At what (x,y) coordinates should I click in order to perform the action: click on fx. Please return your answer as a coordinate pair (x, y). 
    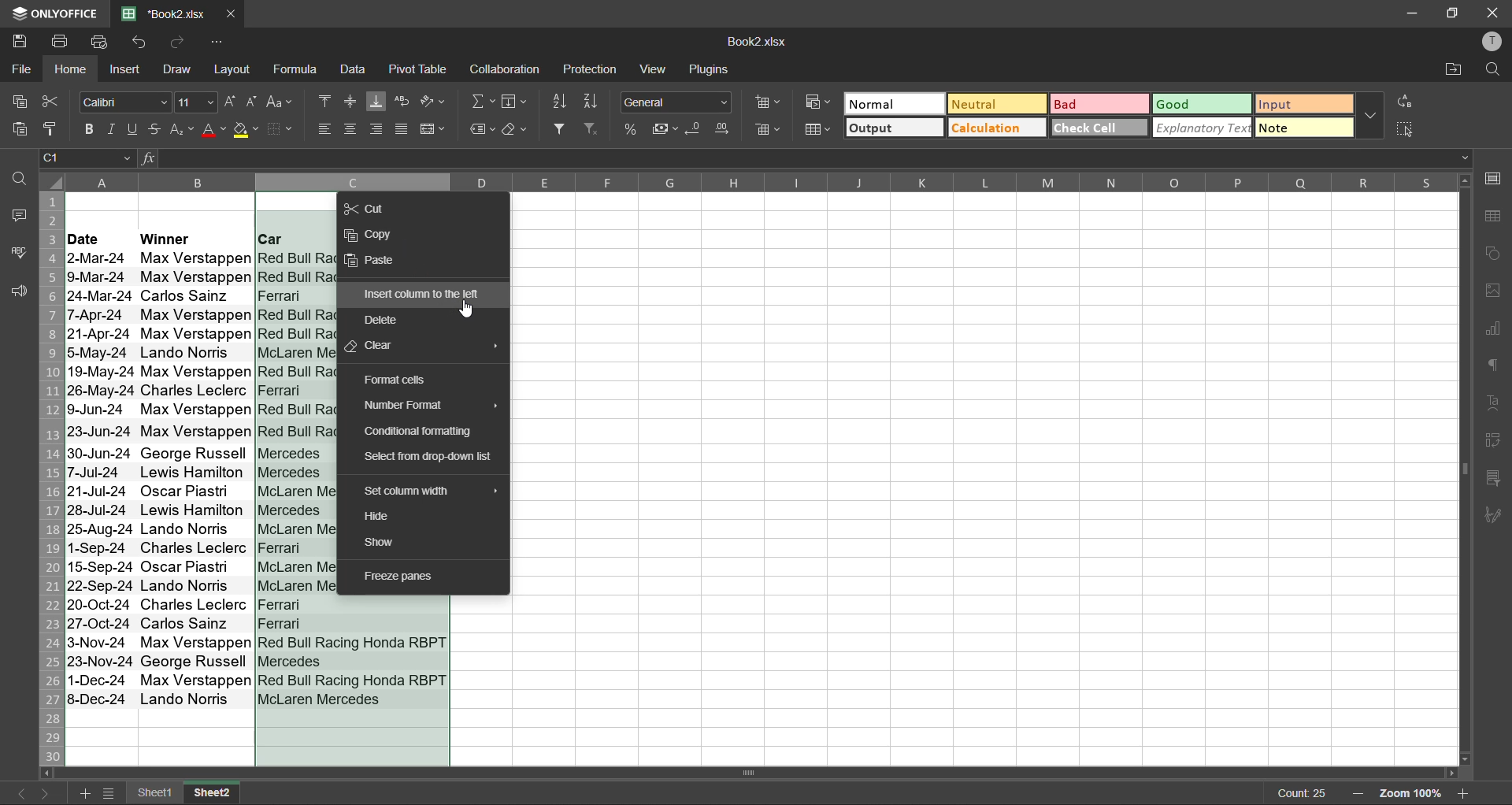
    Looking at the image, I should click on (146, 159).